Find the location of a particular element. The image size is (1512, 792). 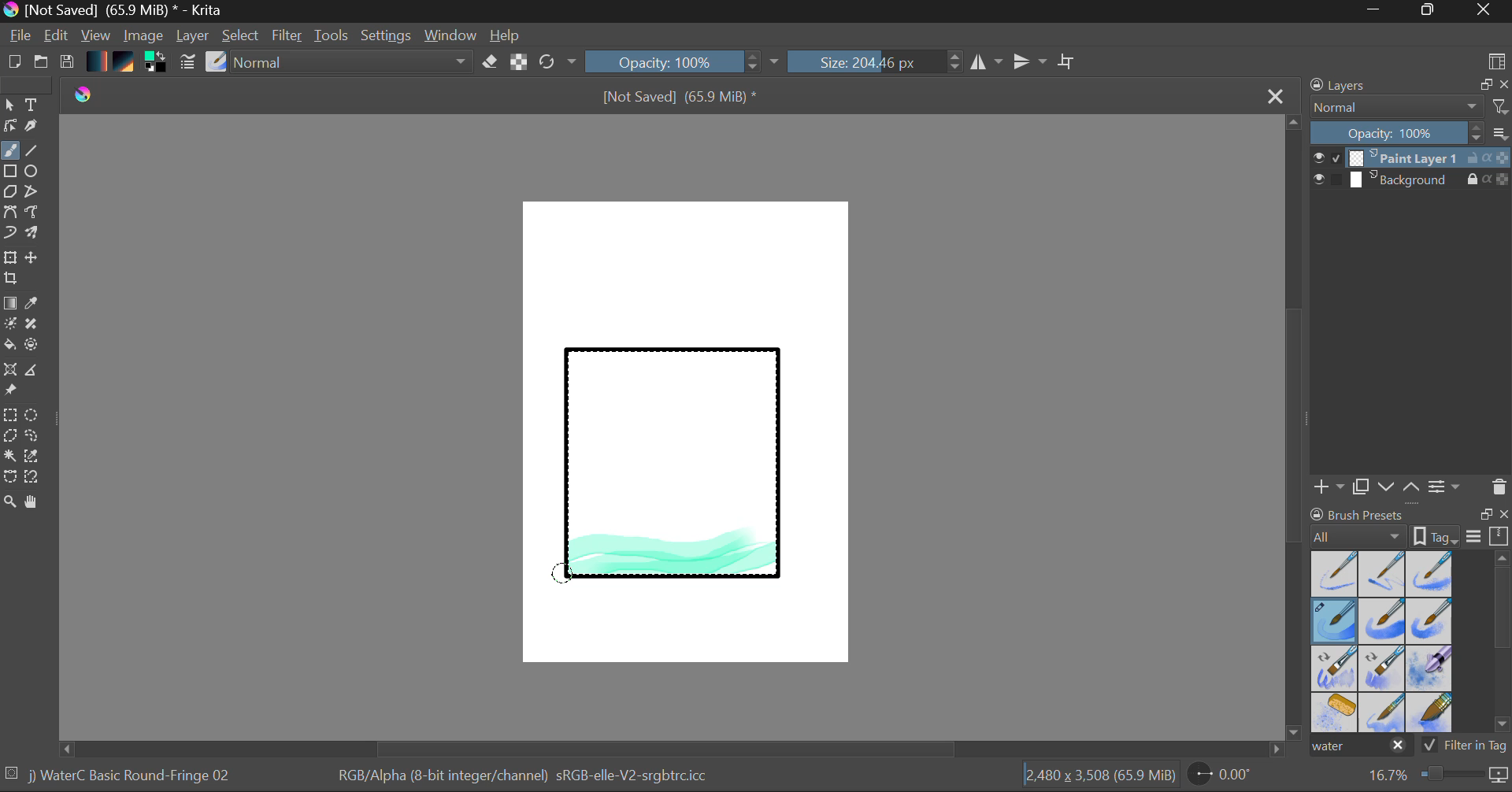

Window Title is located at coordinates (115, 11).